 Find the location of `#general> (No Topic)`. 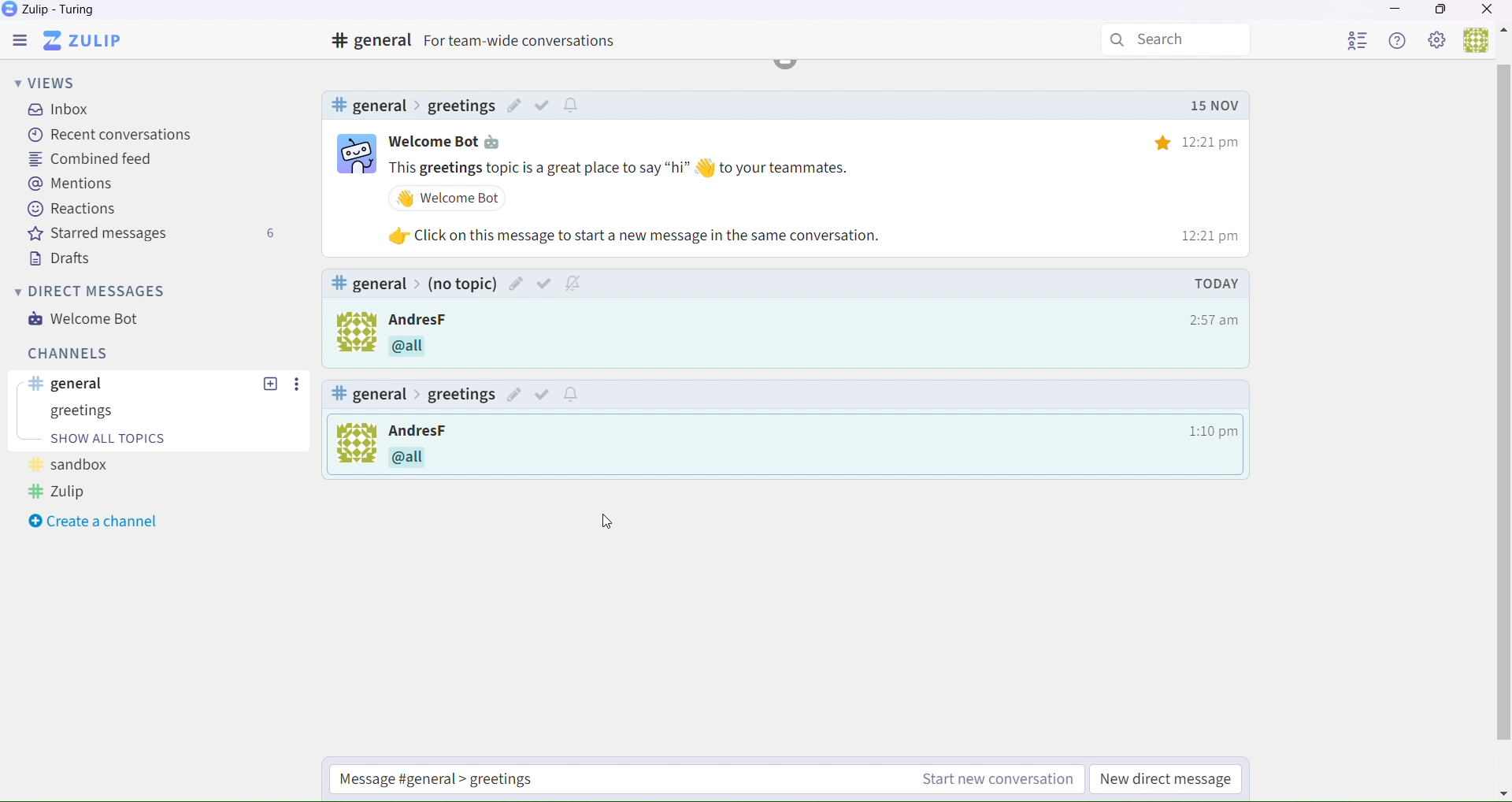

#general> (No Topic) is located at coordinates (414, 283).